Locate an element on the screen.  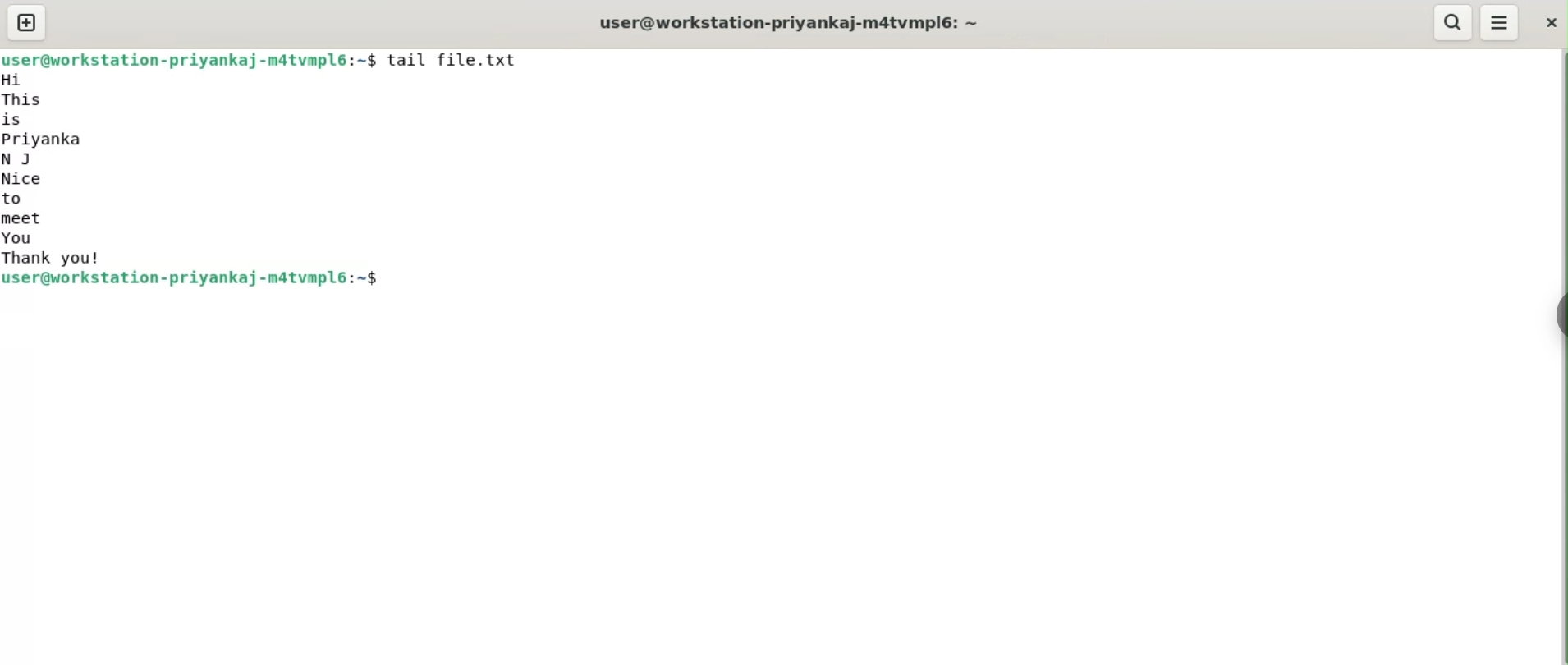
cursor is located at coordinates (388, 282).